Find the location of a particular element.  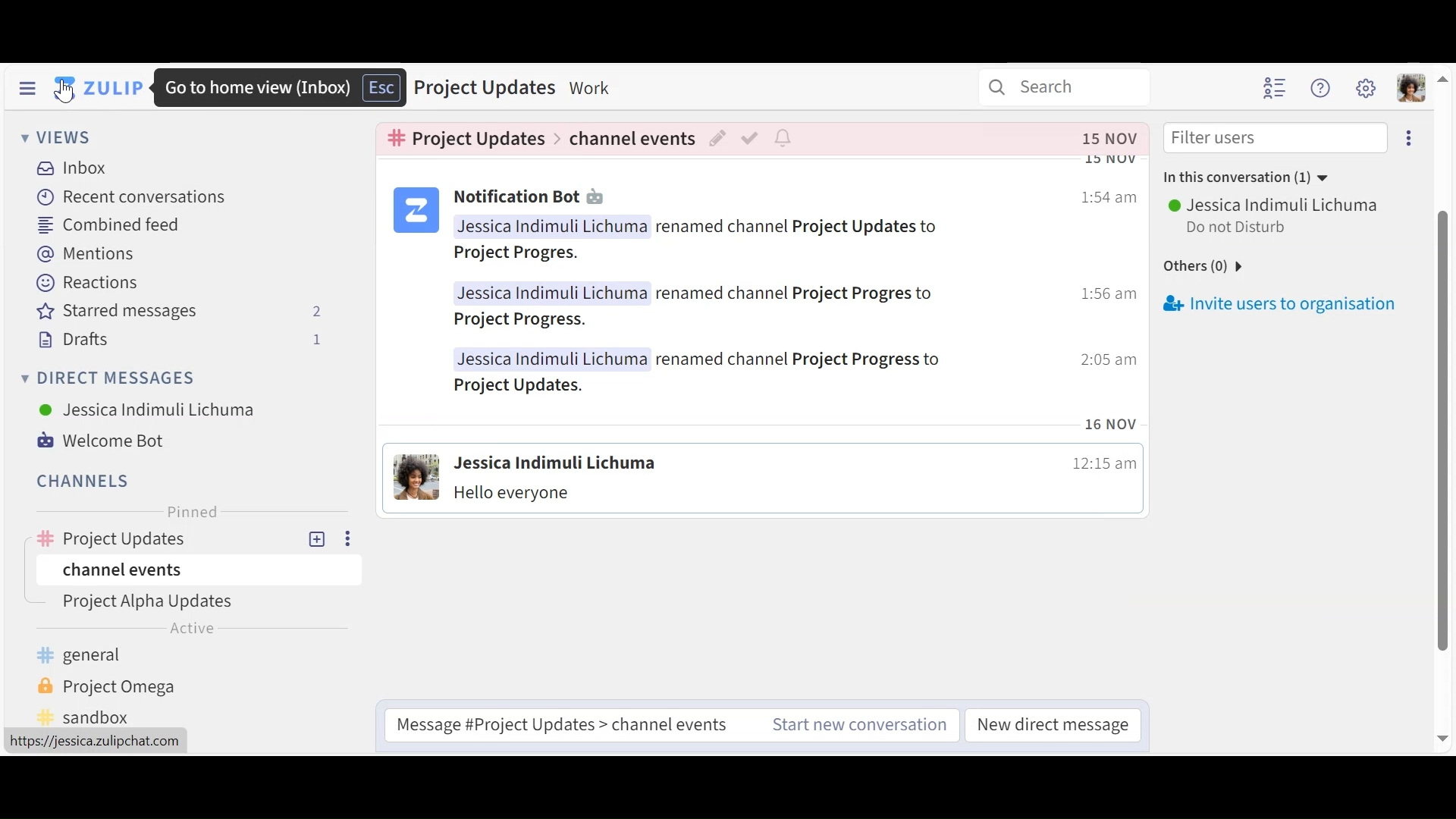

date is located at coordinates (1107, 424).